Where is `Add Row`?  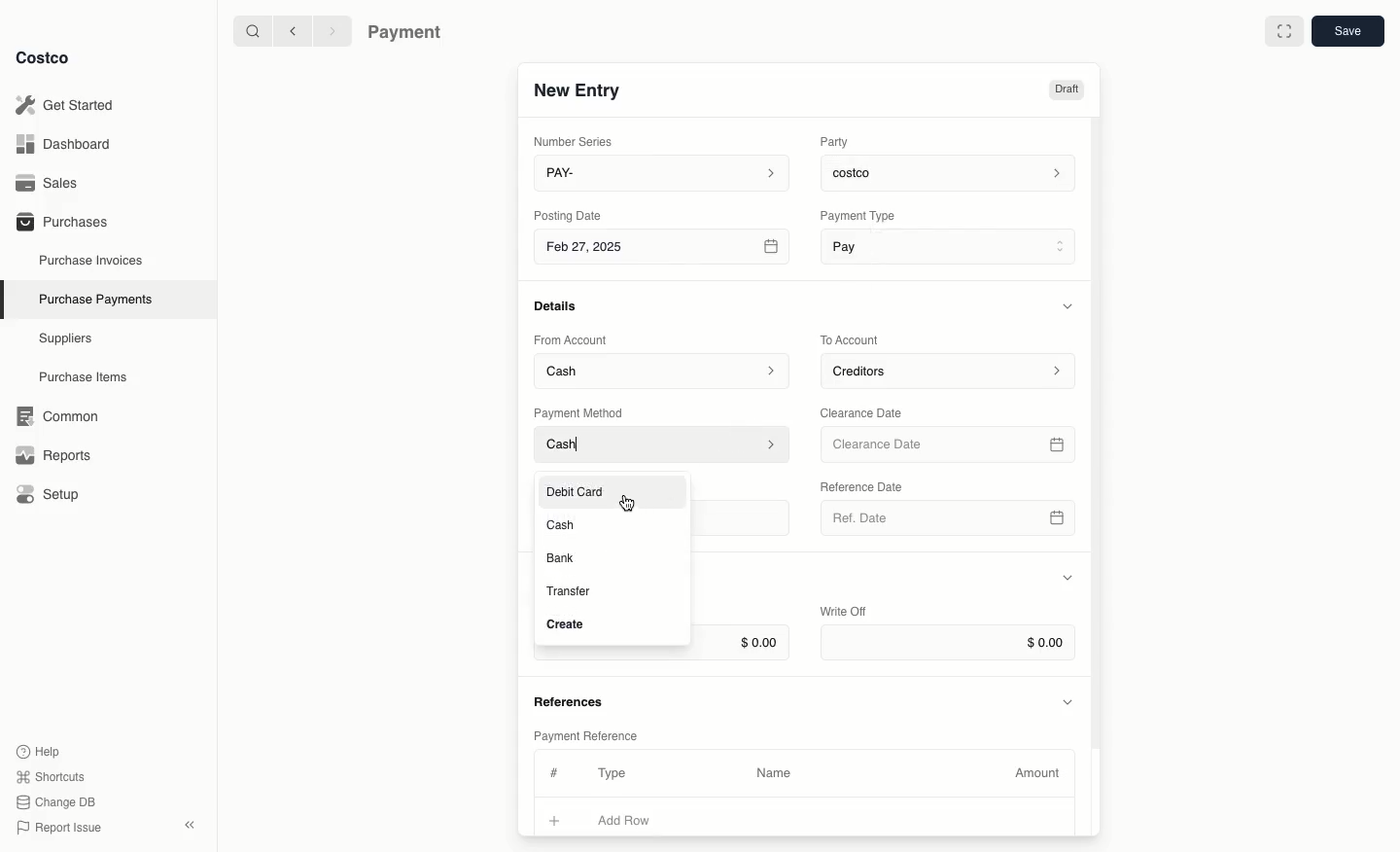
Add Row is located at coordinates (637, 820).